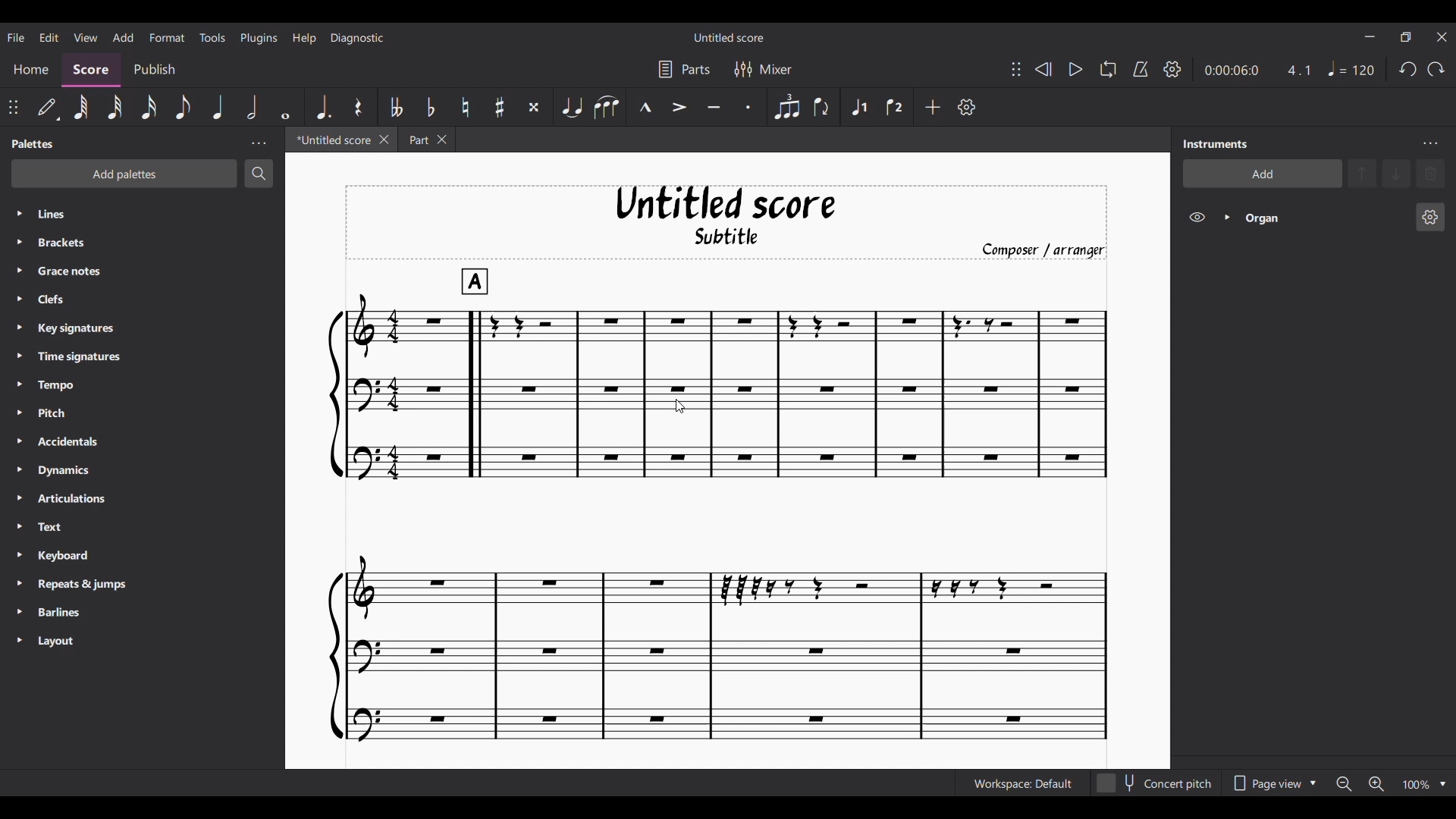 This screenshot has height=819, width=1456. What do you see at coordinates (1352, 69) in the screenshot?
I see `Quarter note` at bounding box center [1352, 69].